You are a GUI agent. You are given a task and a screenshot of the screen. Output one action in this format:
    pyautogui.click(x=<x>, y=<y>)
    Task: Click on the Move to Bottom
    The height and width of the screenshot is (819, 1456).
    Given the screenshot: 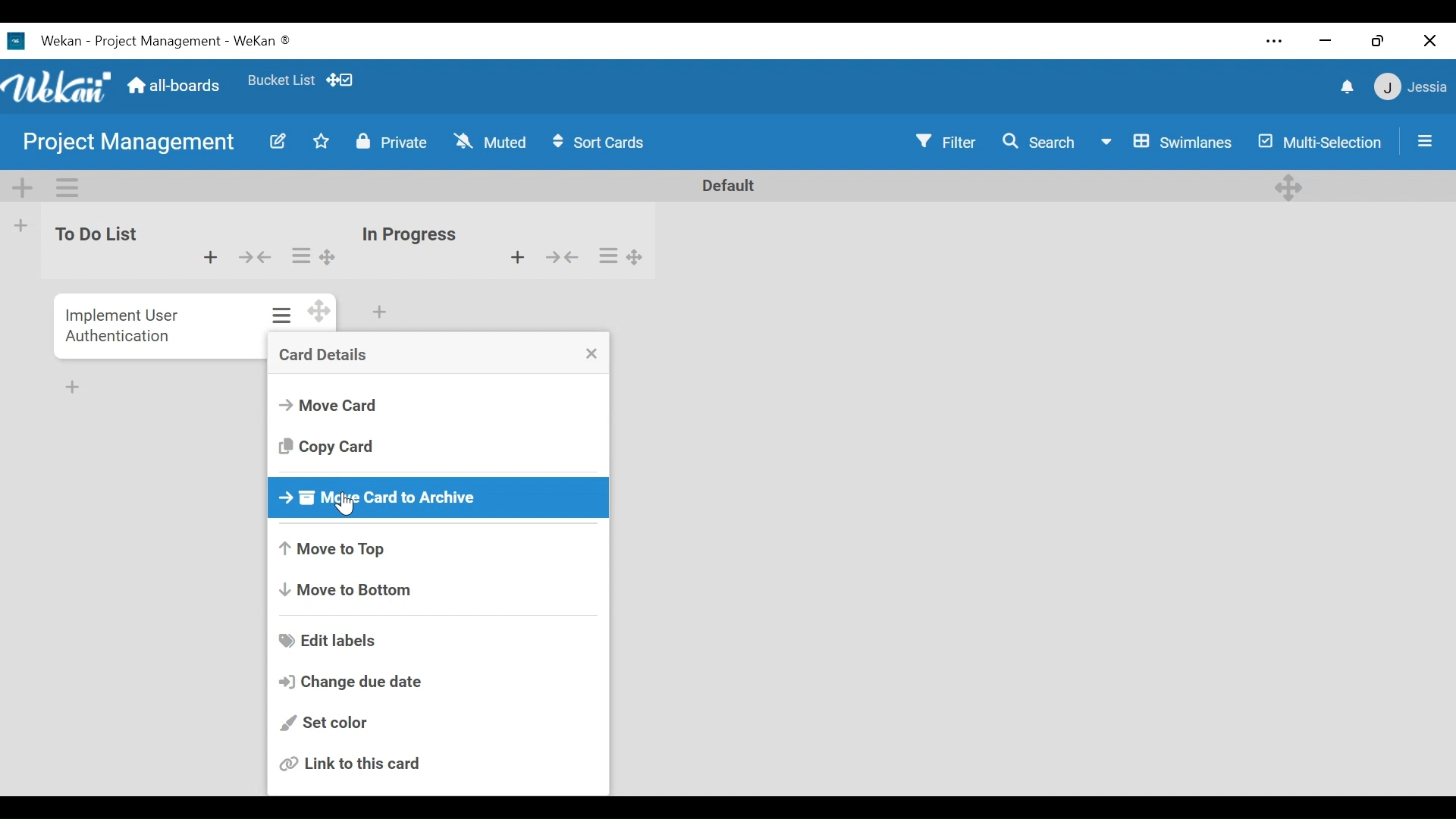 What is the action you would take?
    pyautogui.click(x=345, y=590)
    